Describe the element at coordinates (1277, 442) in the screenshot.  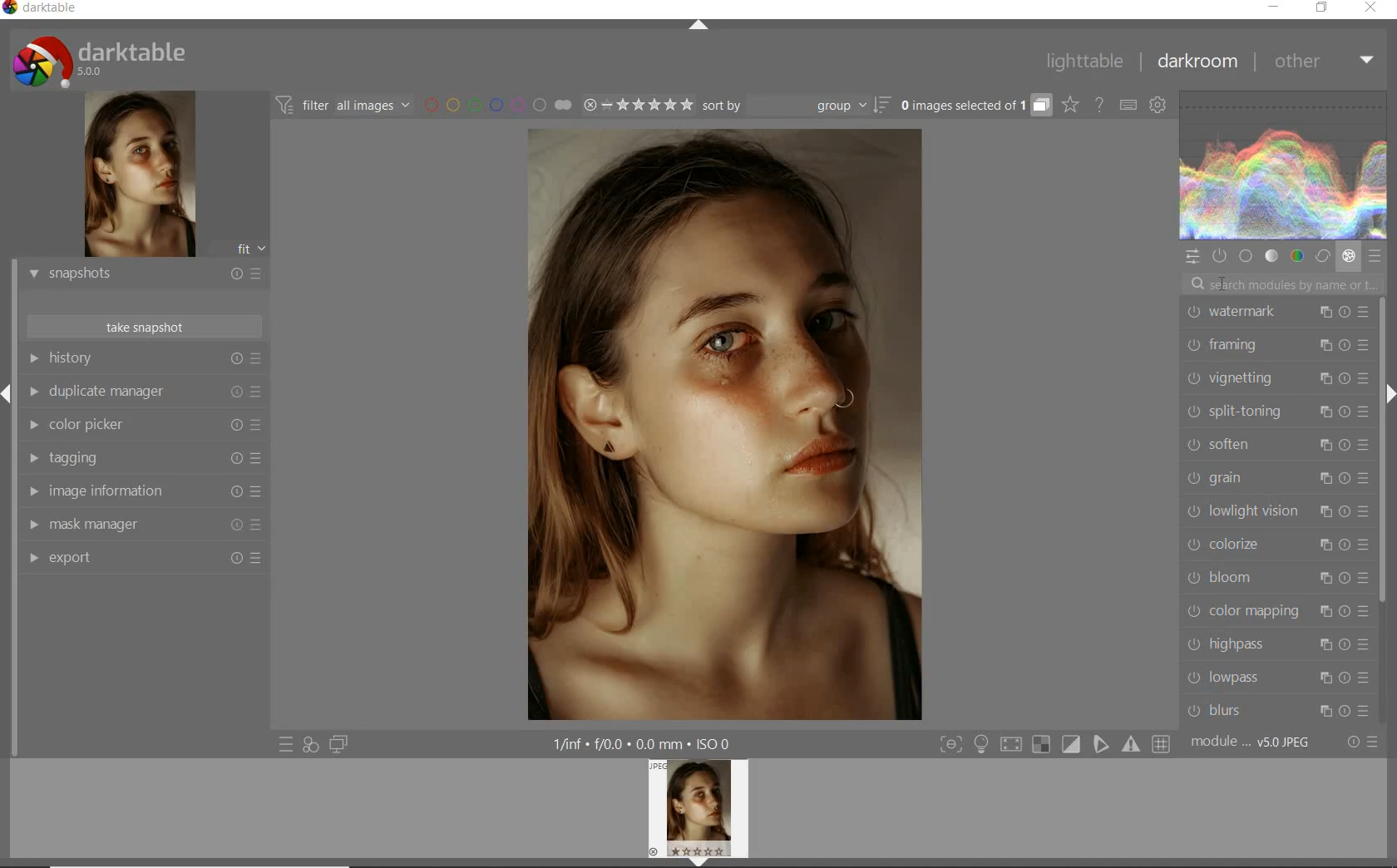
I see `soften` at that location.